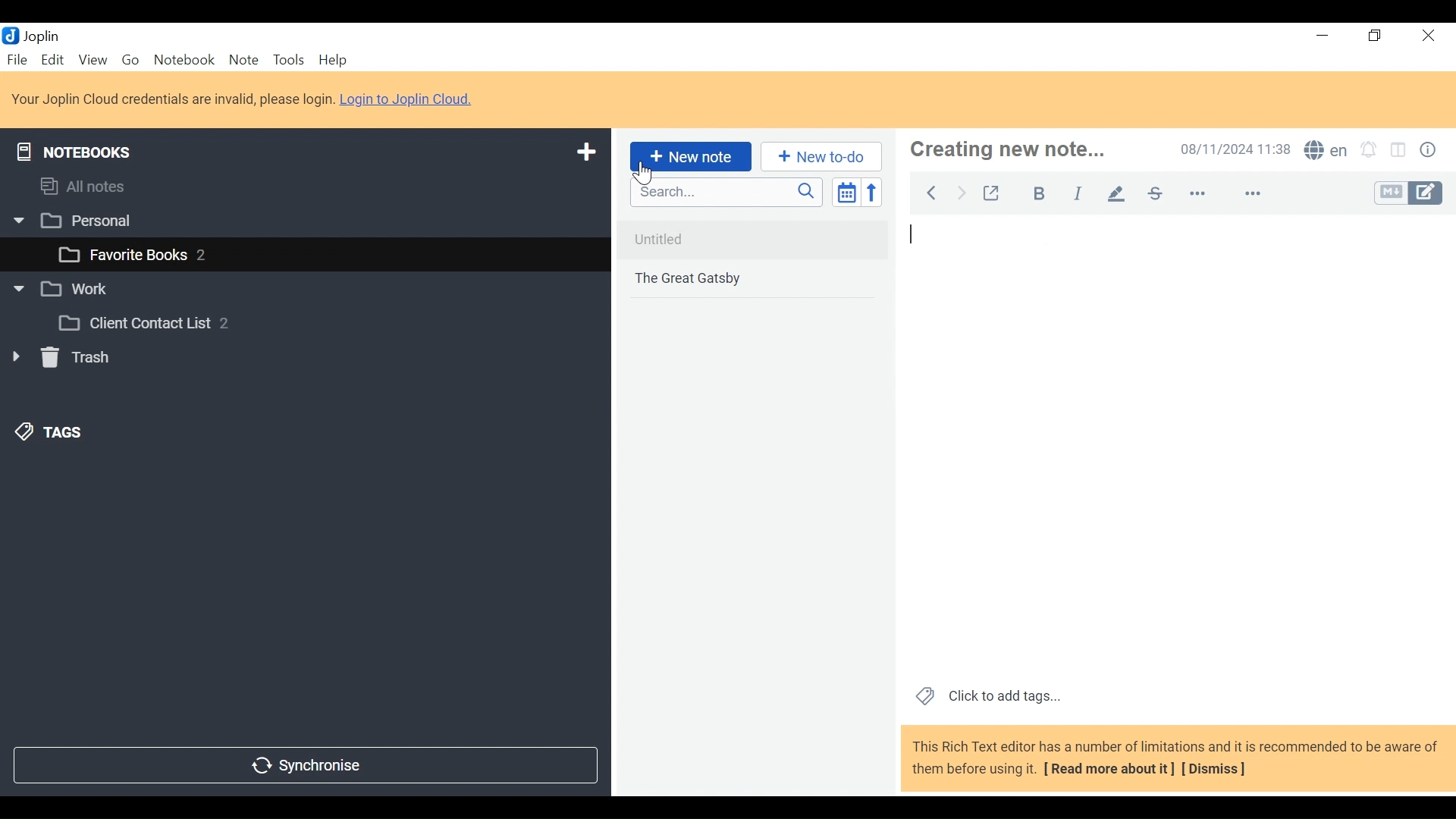 This screenshot has height=819, width=1456. What do you see at coordinates (1175, 759) in the screenshot?
I see `This Rich Text editor has a number of limitations and it is recommended to be aware of
them before using it. [ Read more about it] [Dismiss]` at bounding box center [1175, 759].